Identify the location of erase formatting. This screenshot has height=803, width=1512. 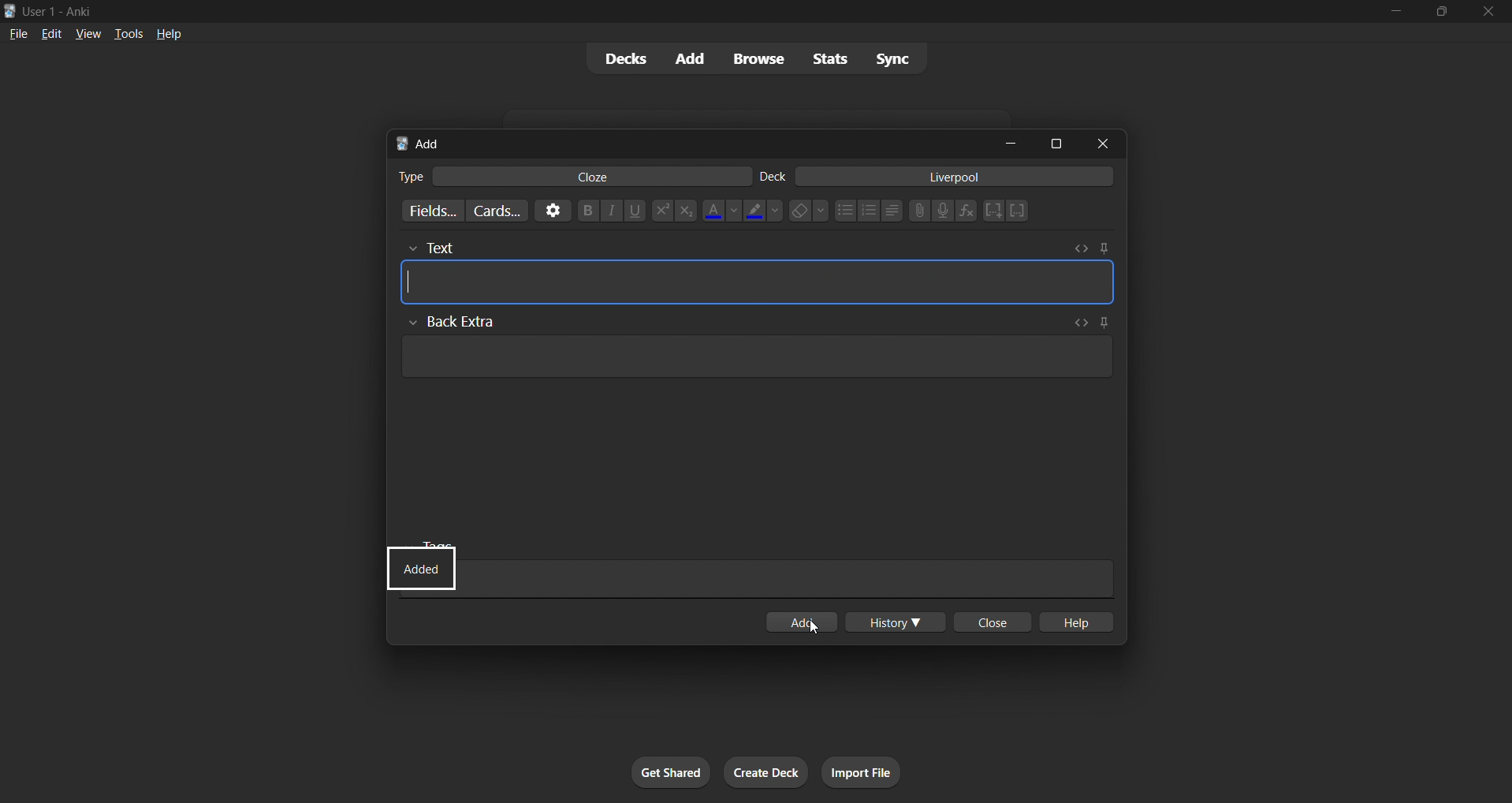
(810, 214).